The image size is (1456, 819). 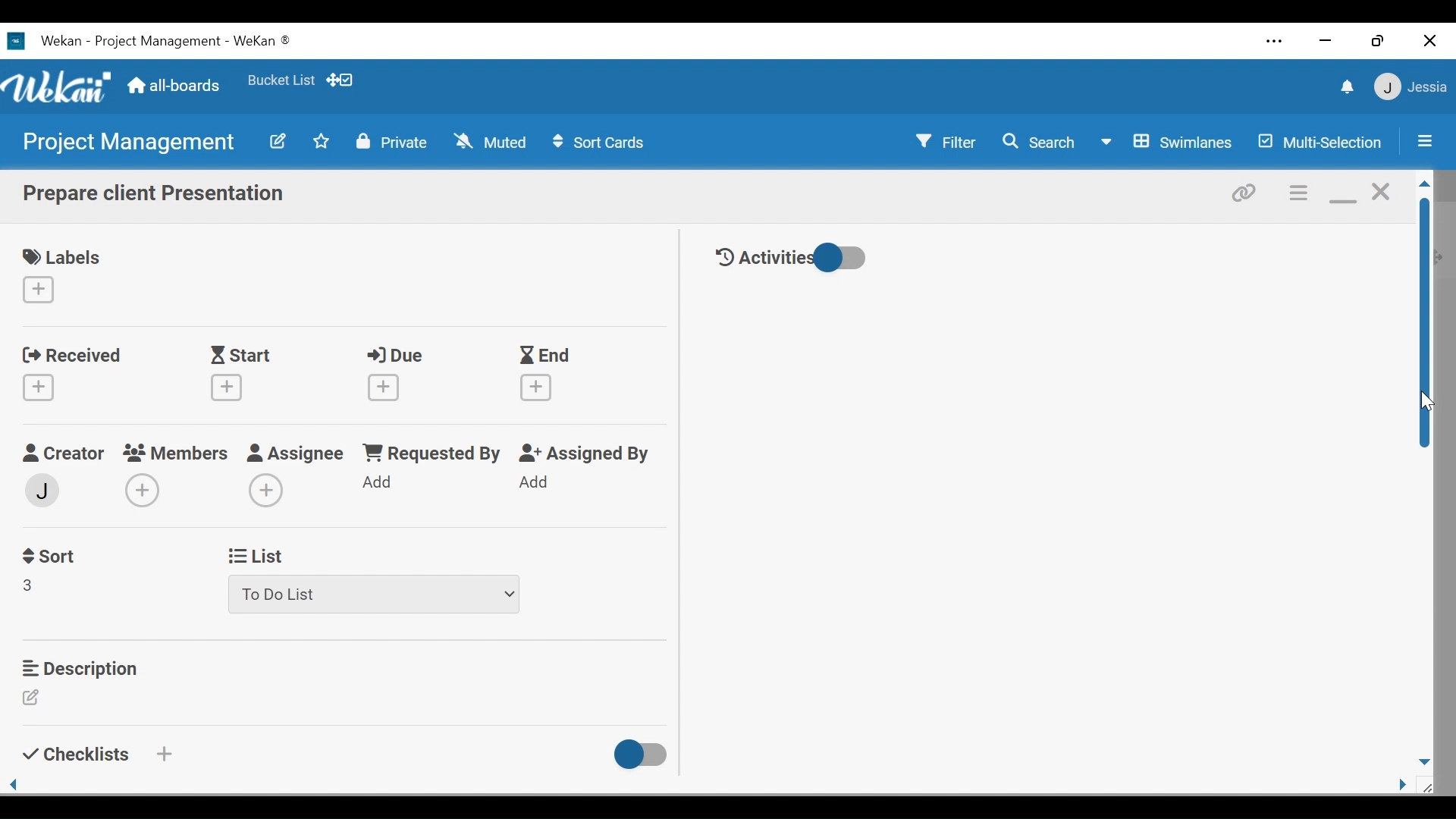 What do you see at coordinates (1276, 41) in the screenshot?
I see `Settings and more` at bounding box center [1276, 41].